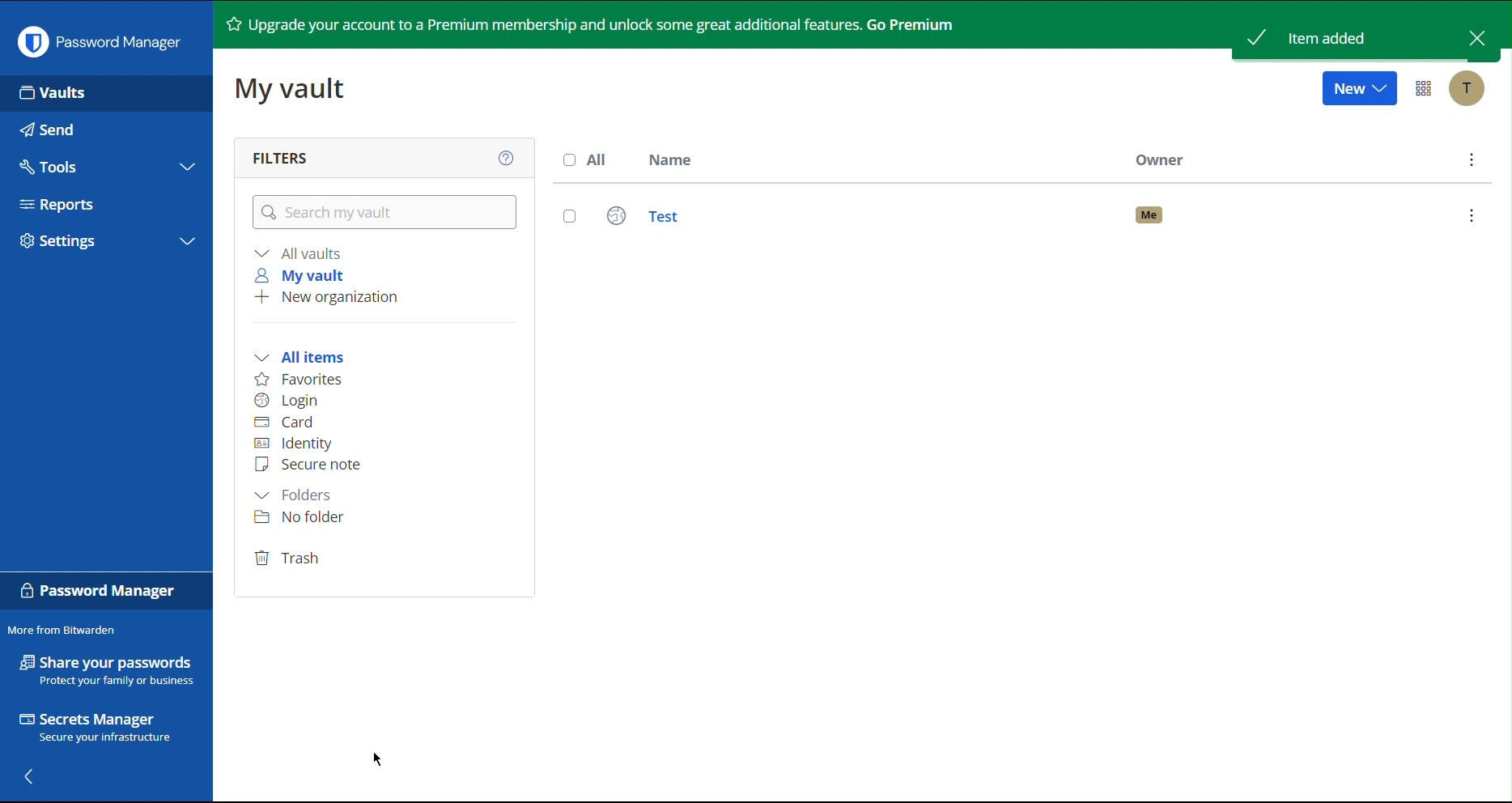 The height and width of the screenshot is (803, 1512). I want to click on New organization, so click(329, 296).